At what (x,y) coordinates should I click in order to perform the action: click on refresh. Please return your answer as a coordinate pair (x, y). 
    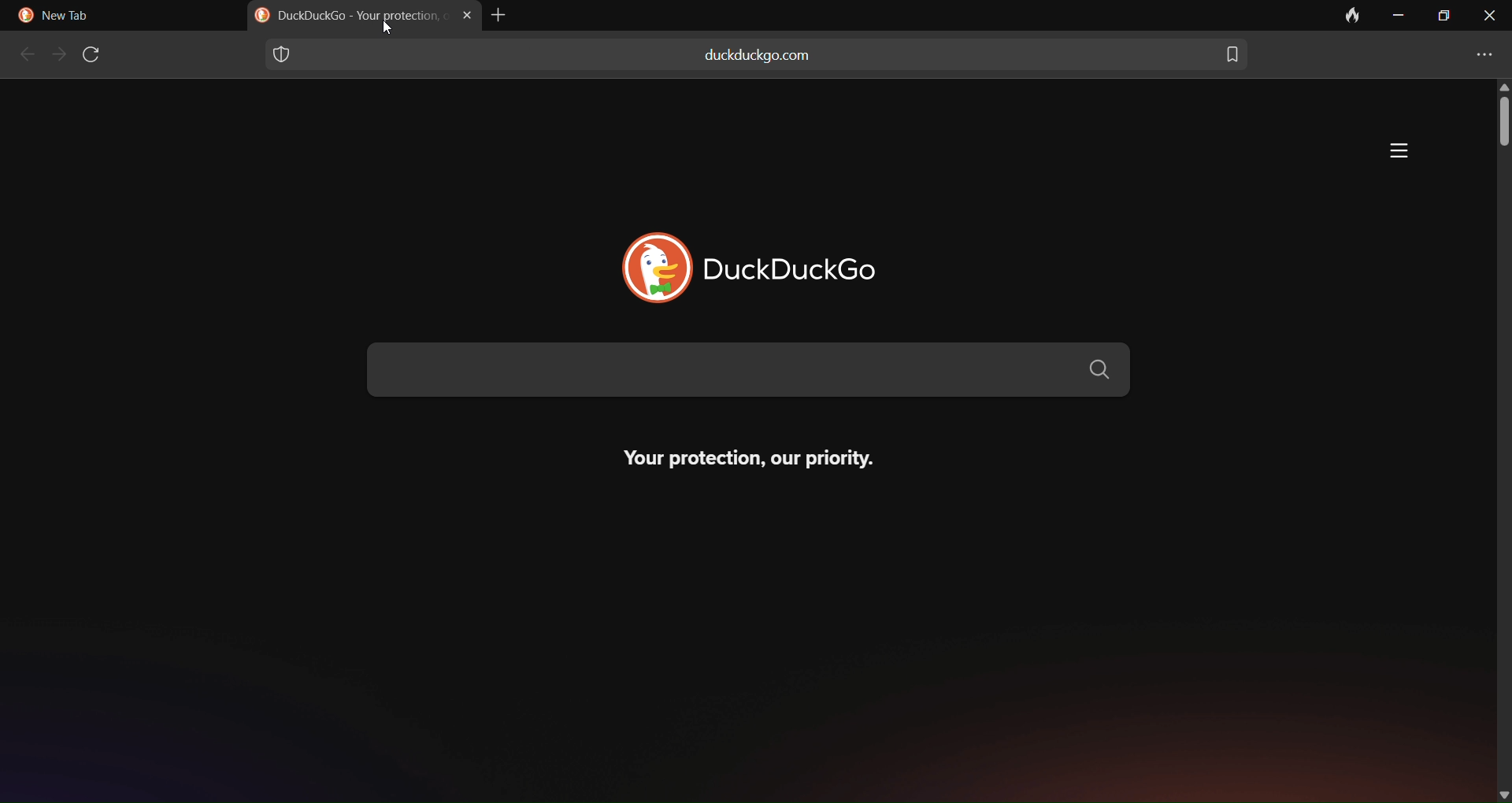
    Looking at the image, I should click on (96, 54).